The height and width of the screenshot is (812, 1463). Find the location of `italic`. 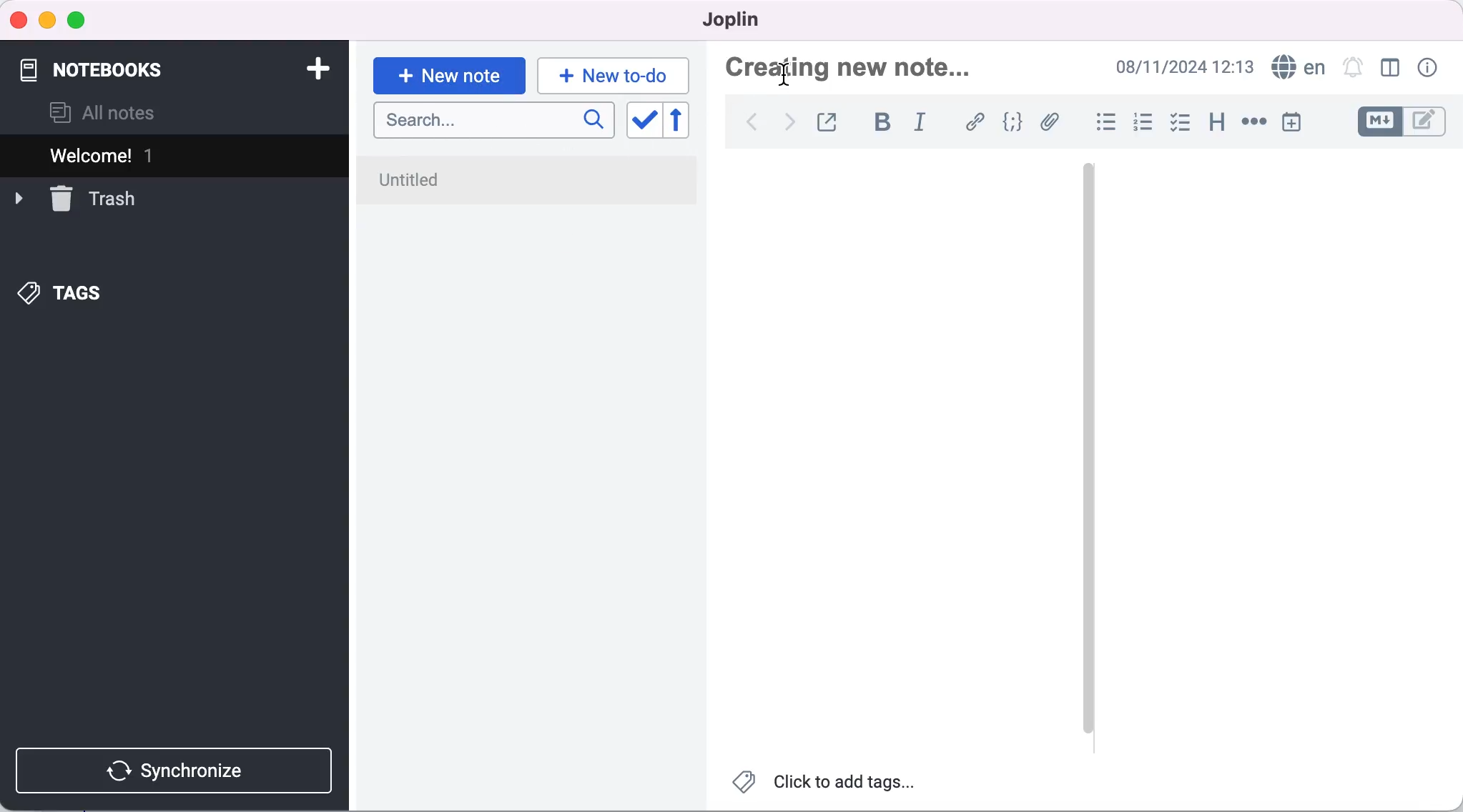

italic is located at coordinates (924, 124).